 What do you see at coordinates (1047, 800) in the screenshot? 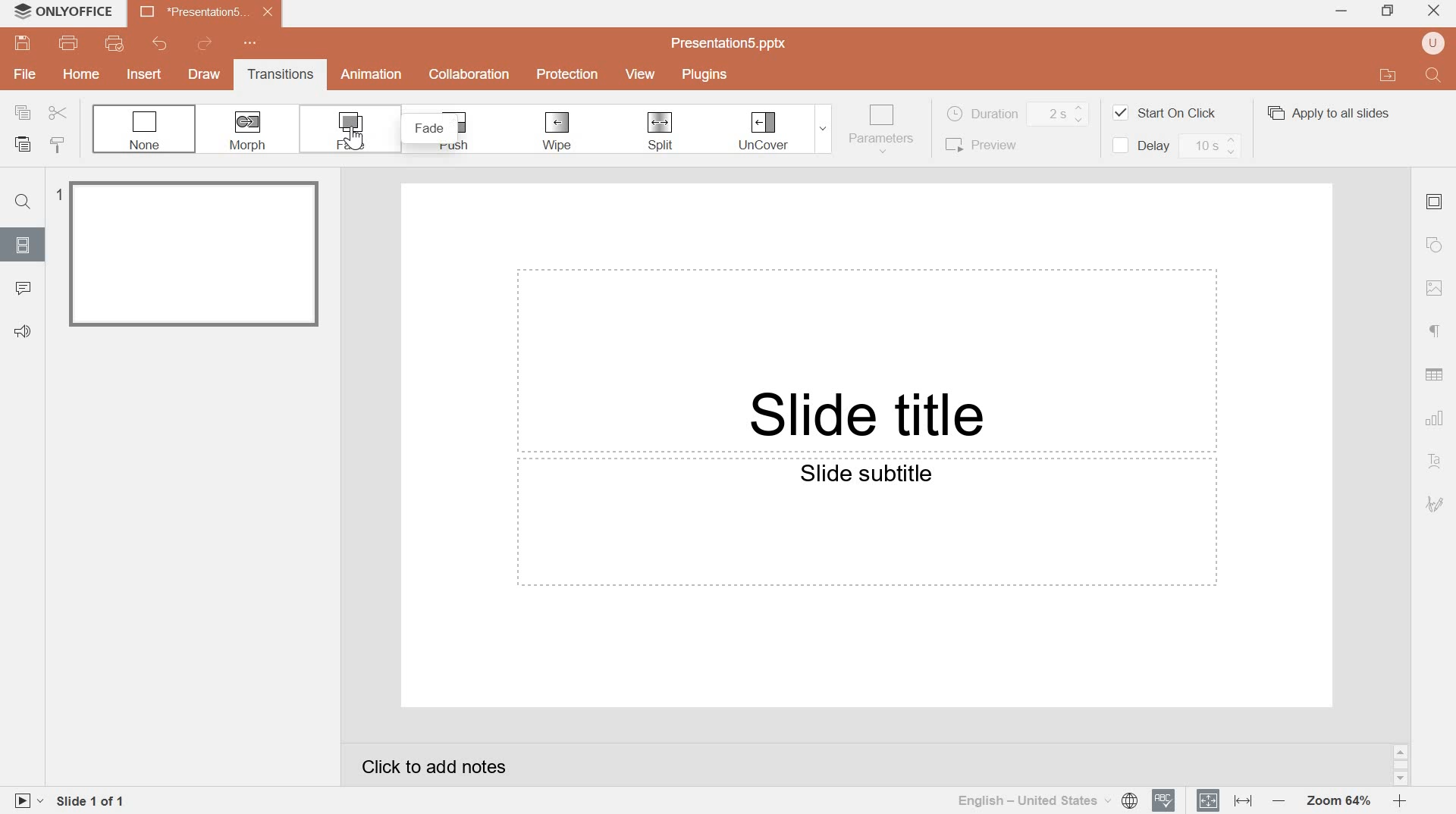
I see `select document language` at bounding box center [1047, 800].